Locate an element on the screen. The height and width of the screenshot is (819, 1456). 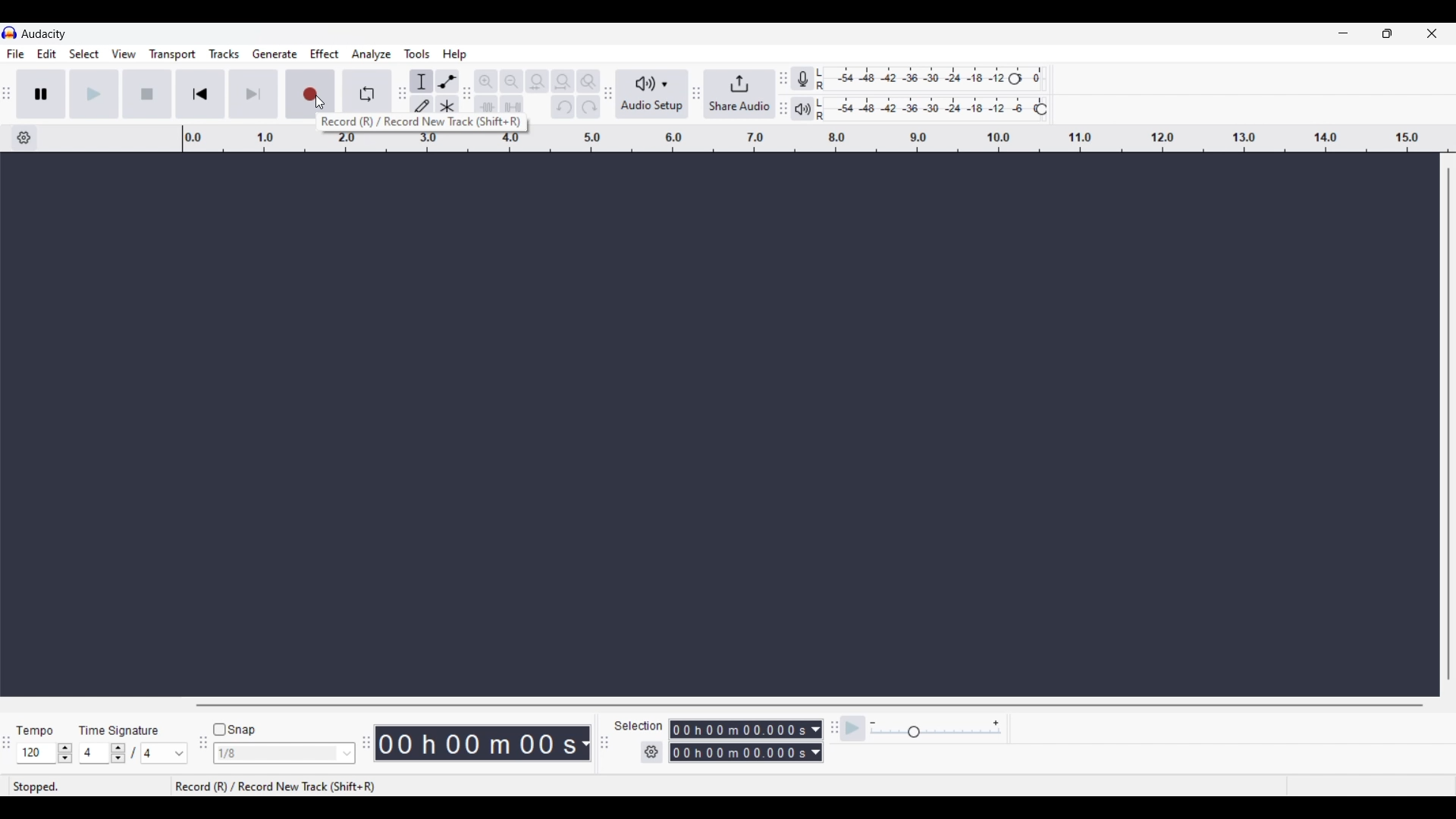
Vertical slide bar is located at coordinates (1452, 424).